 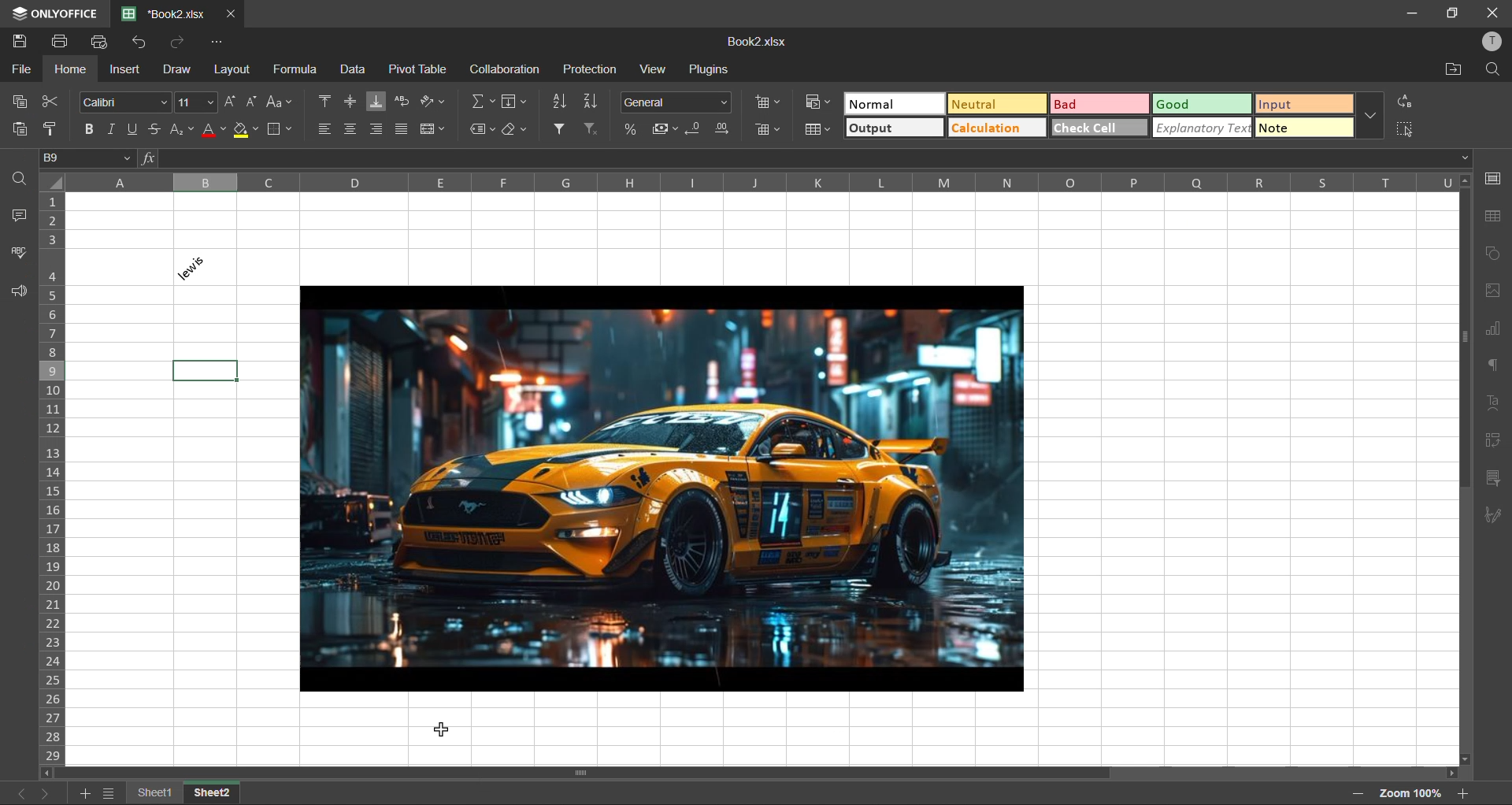 I want to click on down, so click(x=1465, y=158).